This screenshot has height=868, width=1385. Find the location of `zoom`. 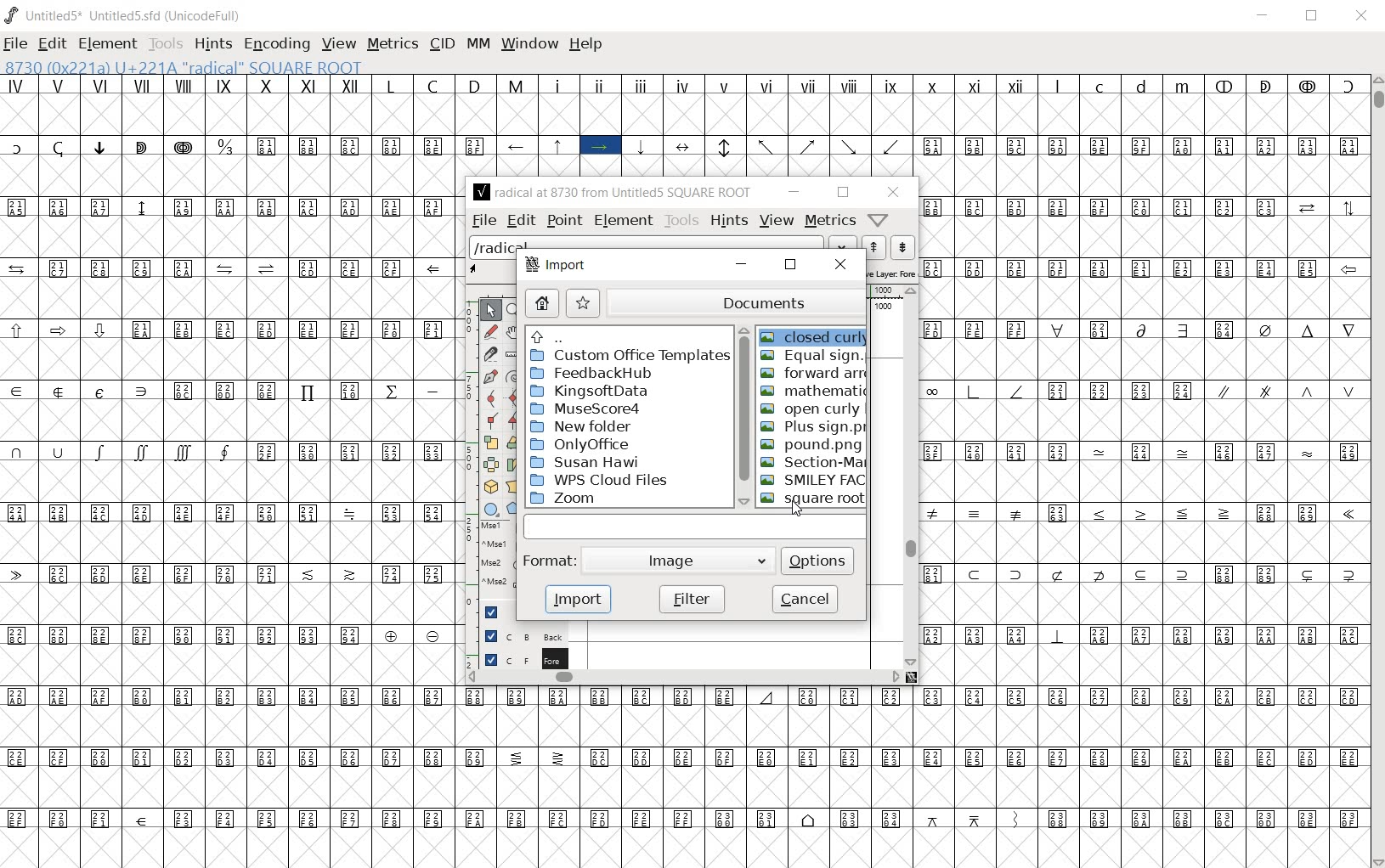

zoom is located at coordinates (563, 499).